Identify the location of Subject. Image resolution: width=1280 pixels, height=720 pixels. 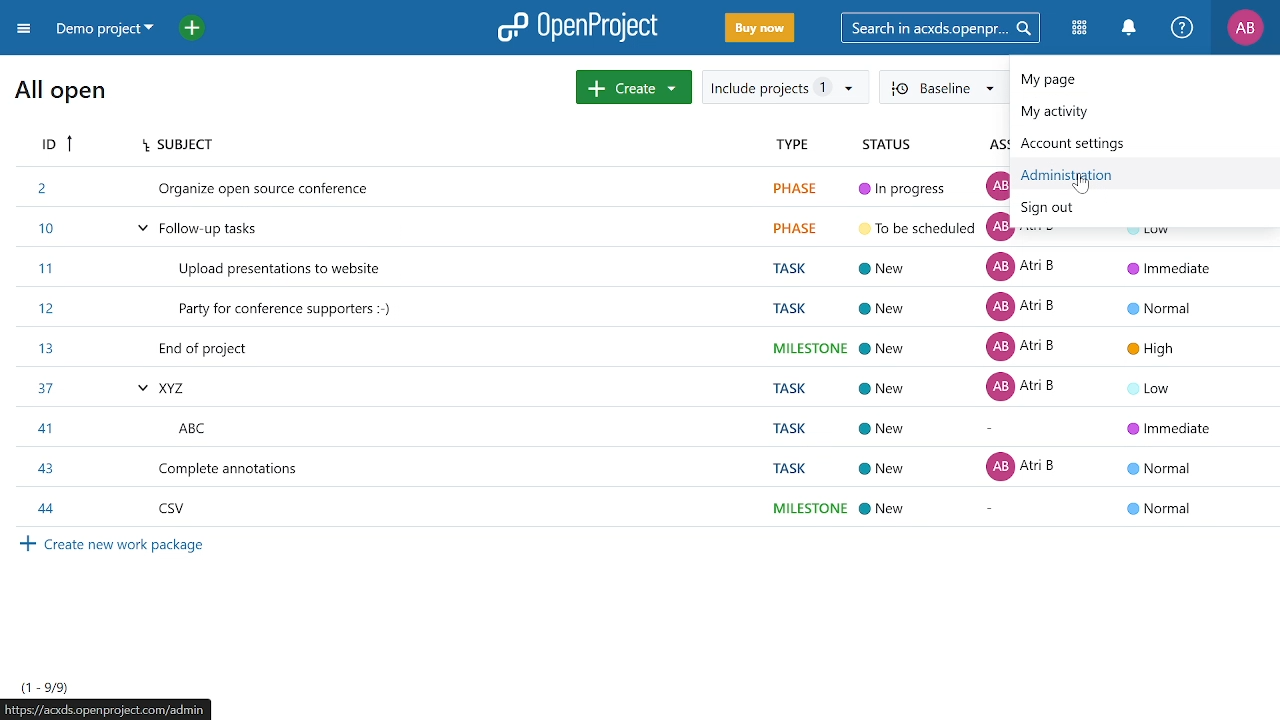
(194, 146).